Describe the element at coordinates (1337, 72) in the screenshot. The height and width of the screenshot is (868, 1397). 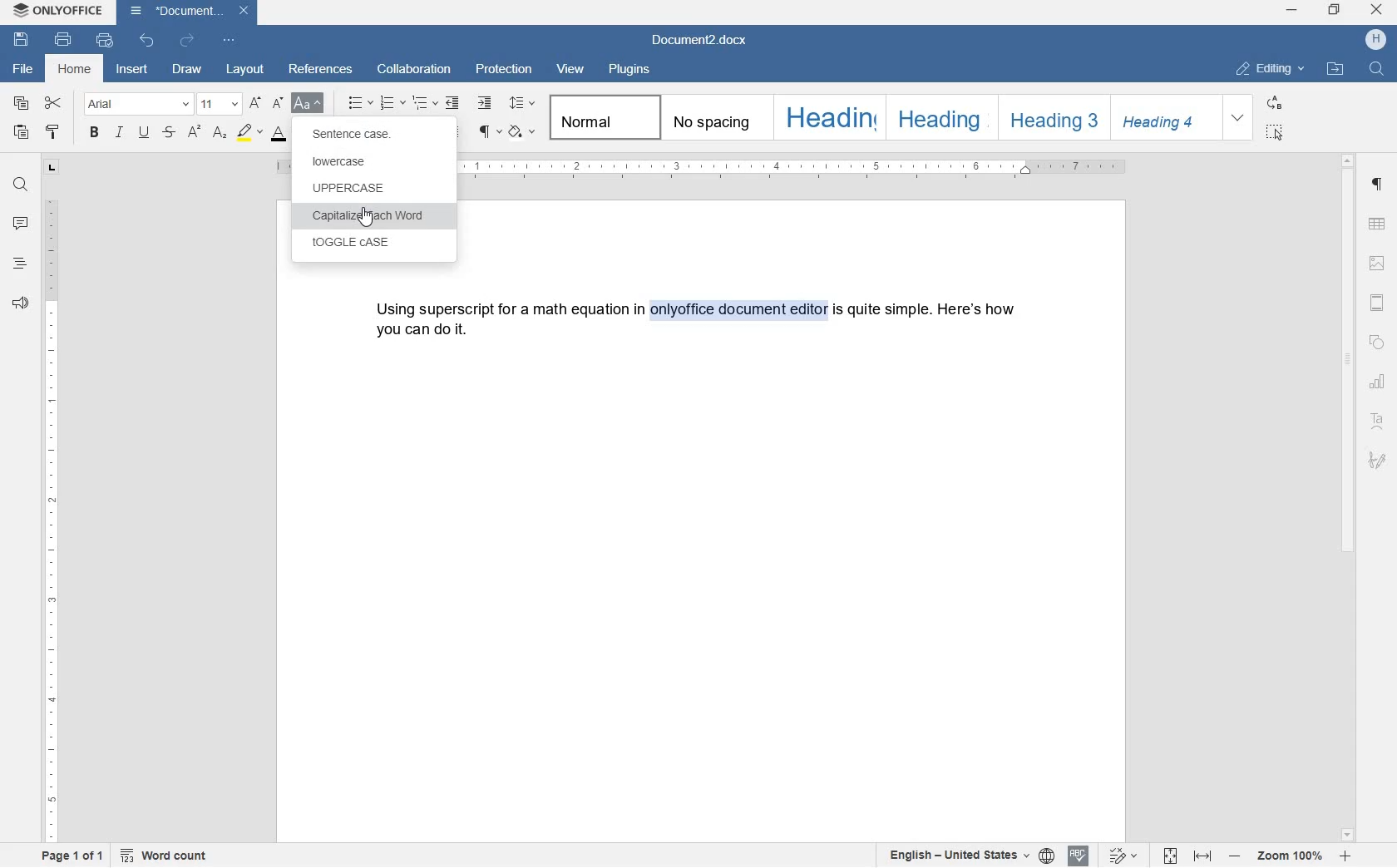
I see `OPEN FILE LOCATION` at that location.